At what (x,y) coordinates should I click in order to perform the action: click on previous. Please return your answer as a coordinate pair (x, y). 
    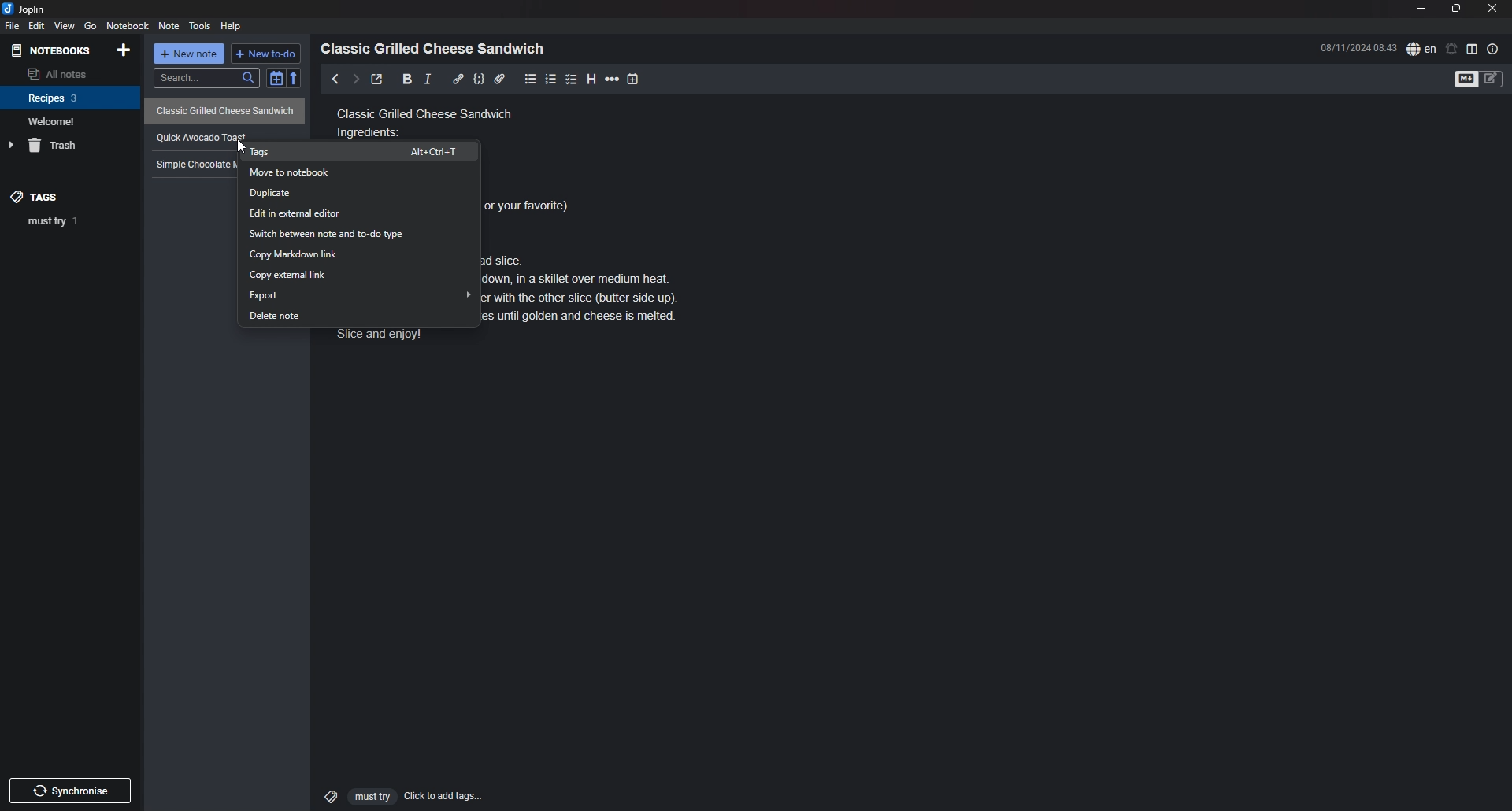
    Looking at the image, I should click on (335, 79).